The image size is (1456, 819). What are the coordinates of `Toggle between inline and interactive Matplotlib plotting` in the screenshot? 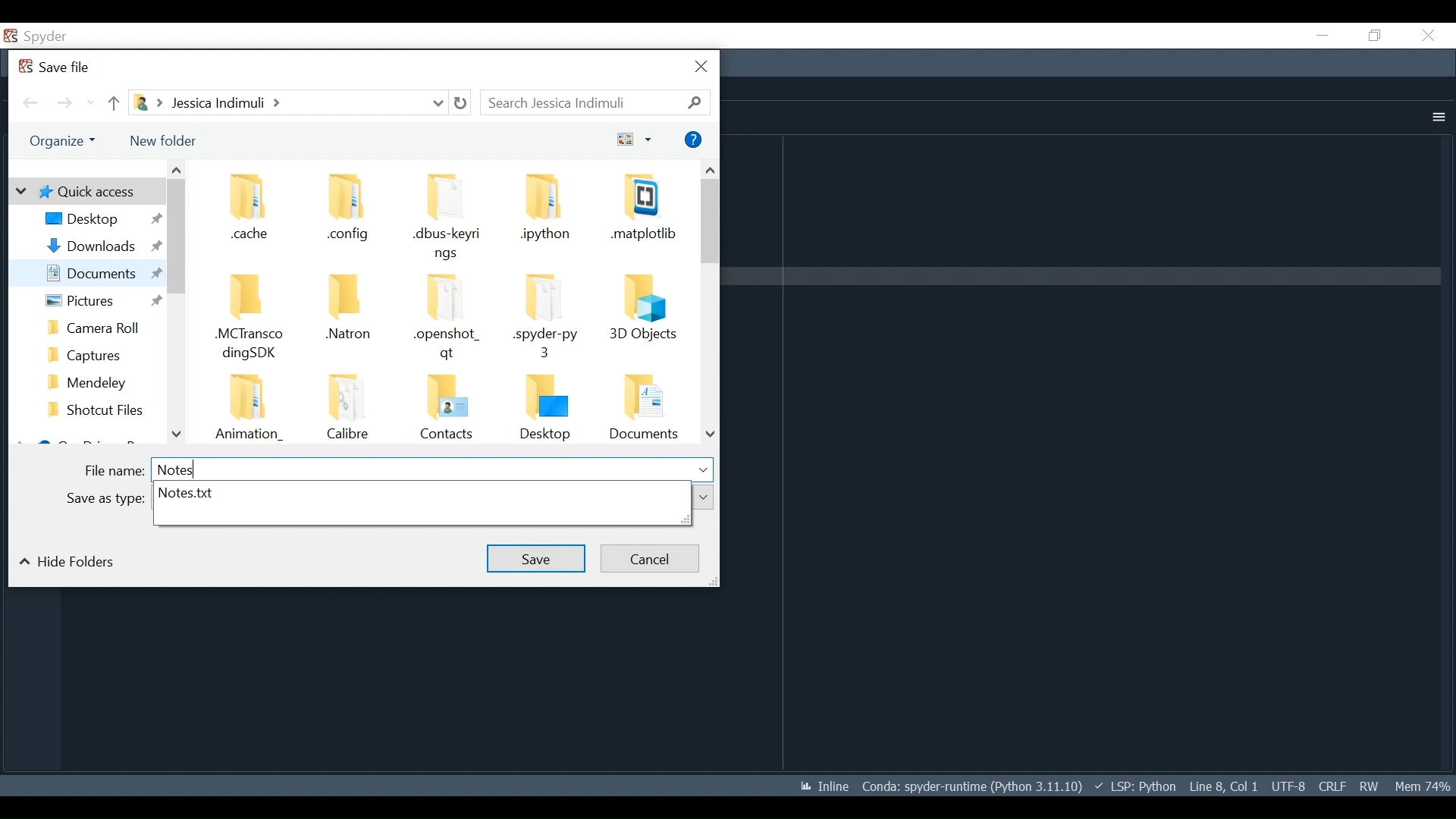 It's located at (821, 786).